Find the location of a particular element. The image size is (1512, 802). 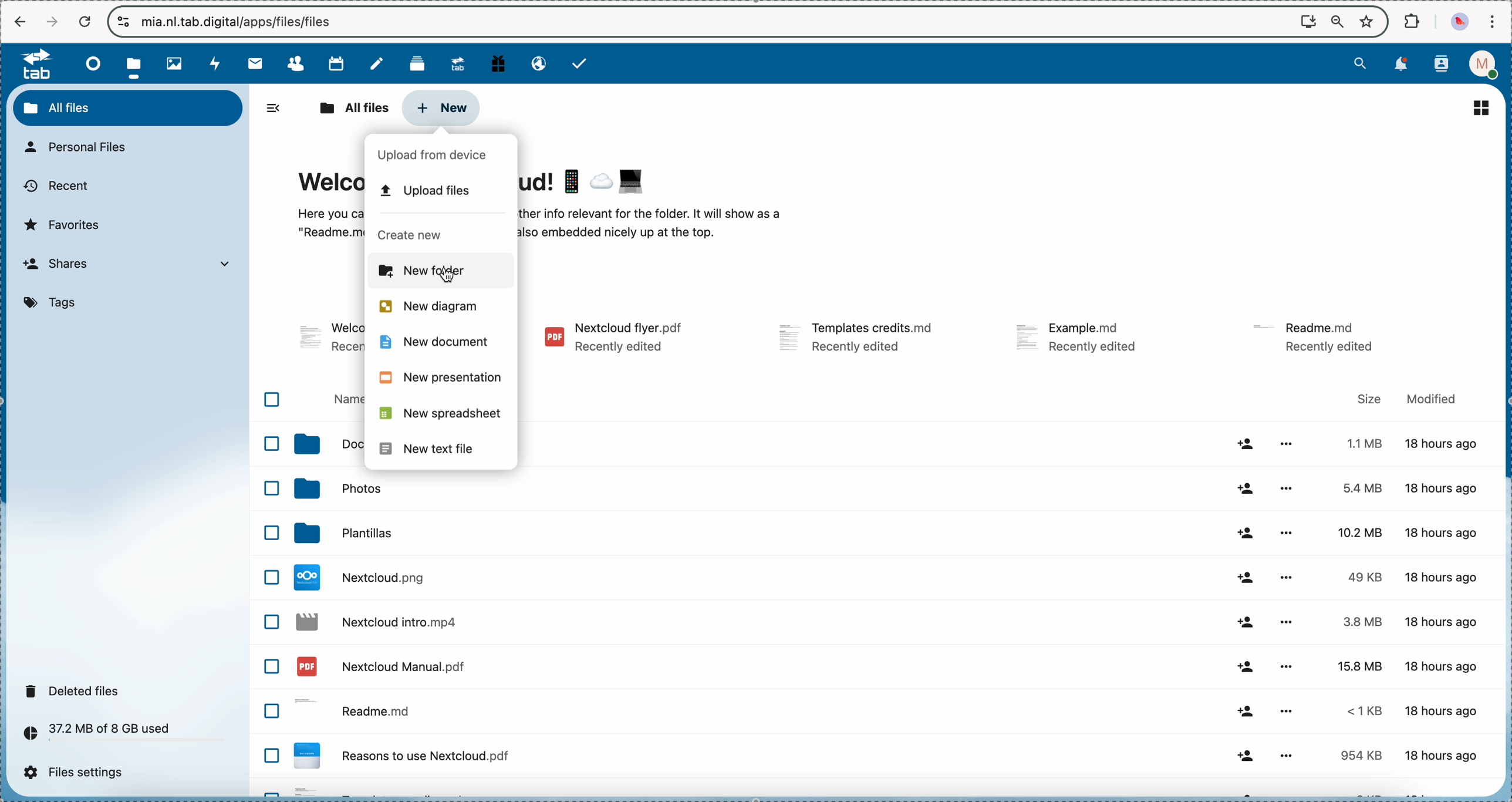

upload from device is located at coordinates (436, 157).